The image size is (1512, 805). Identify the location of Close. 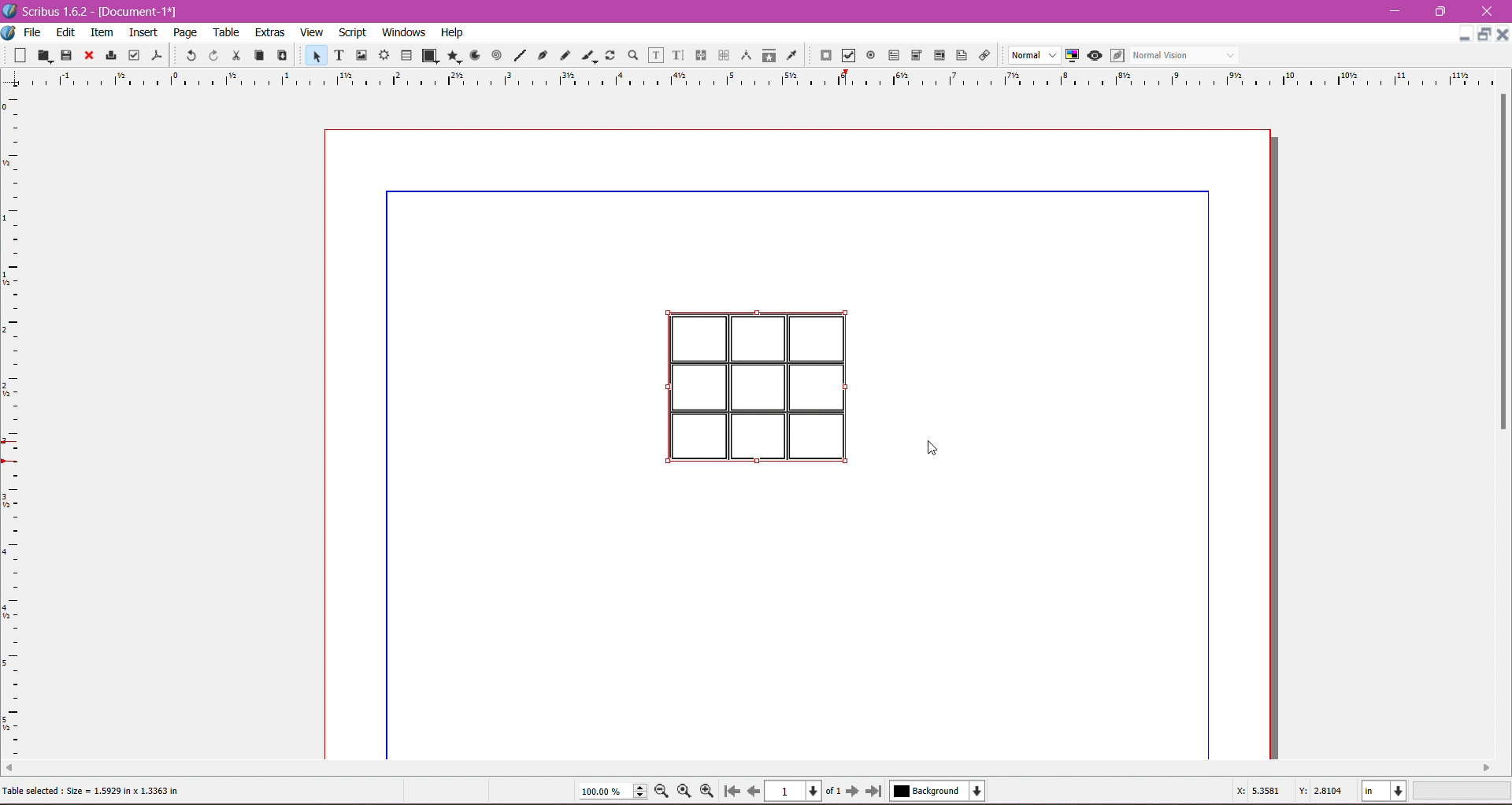
(1503, 41).